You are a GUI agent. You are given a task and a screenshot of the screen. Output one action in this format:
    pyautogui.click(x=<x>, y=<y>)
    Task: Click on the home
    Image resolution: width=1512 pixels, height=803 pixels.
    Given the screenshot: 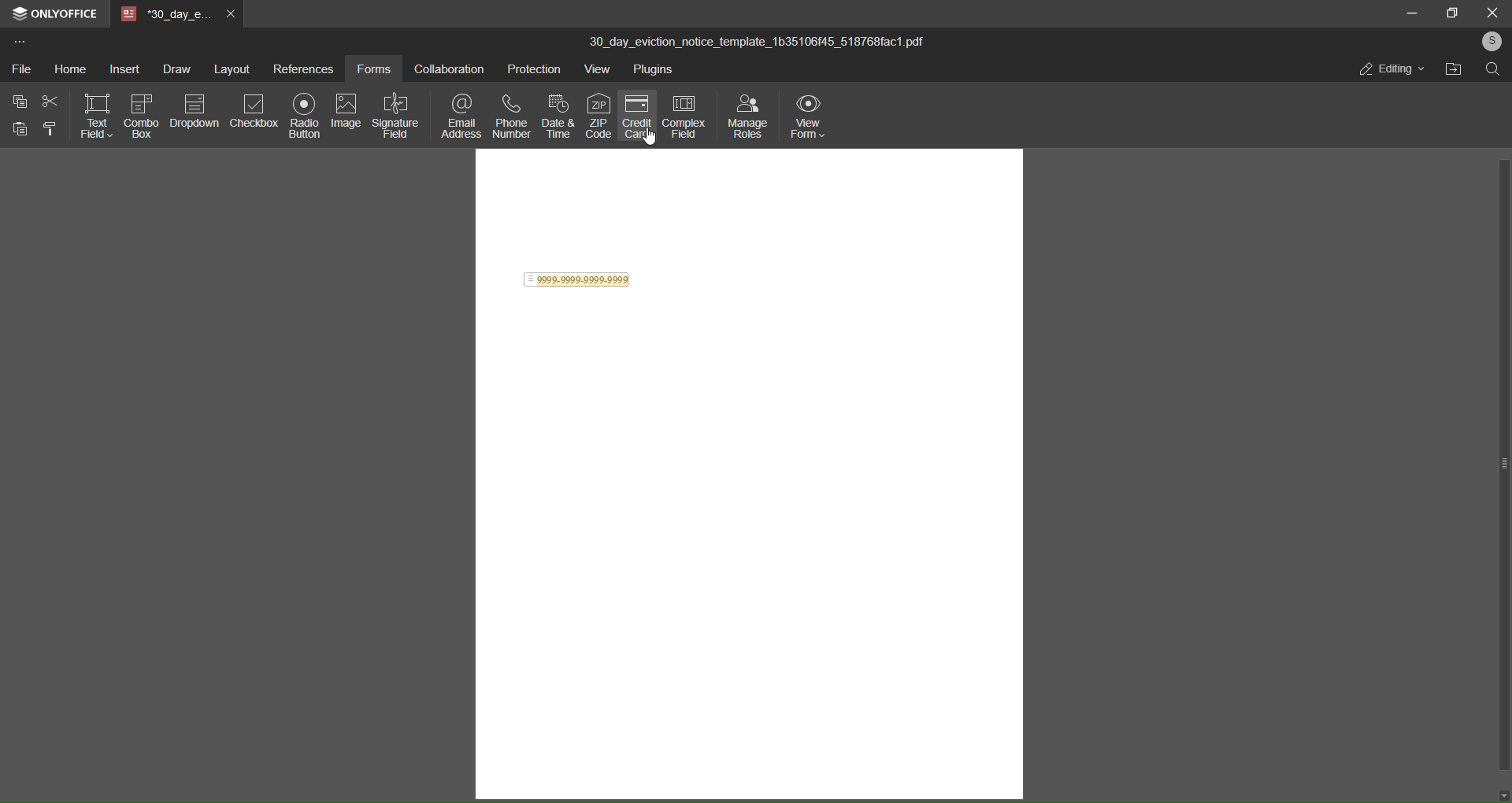 What is the action you would take?
    pyautogui.click(x=68, y=69)
    